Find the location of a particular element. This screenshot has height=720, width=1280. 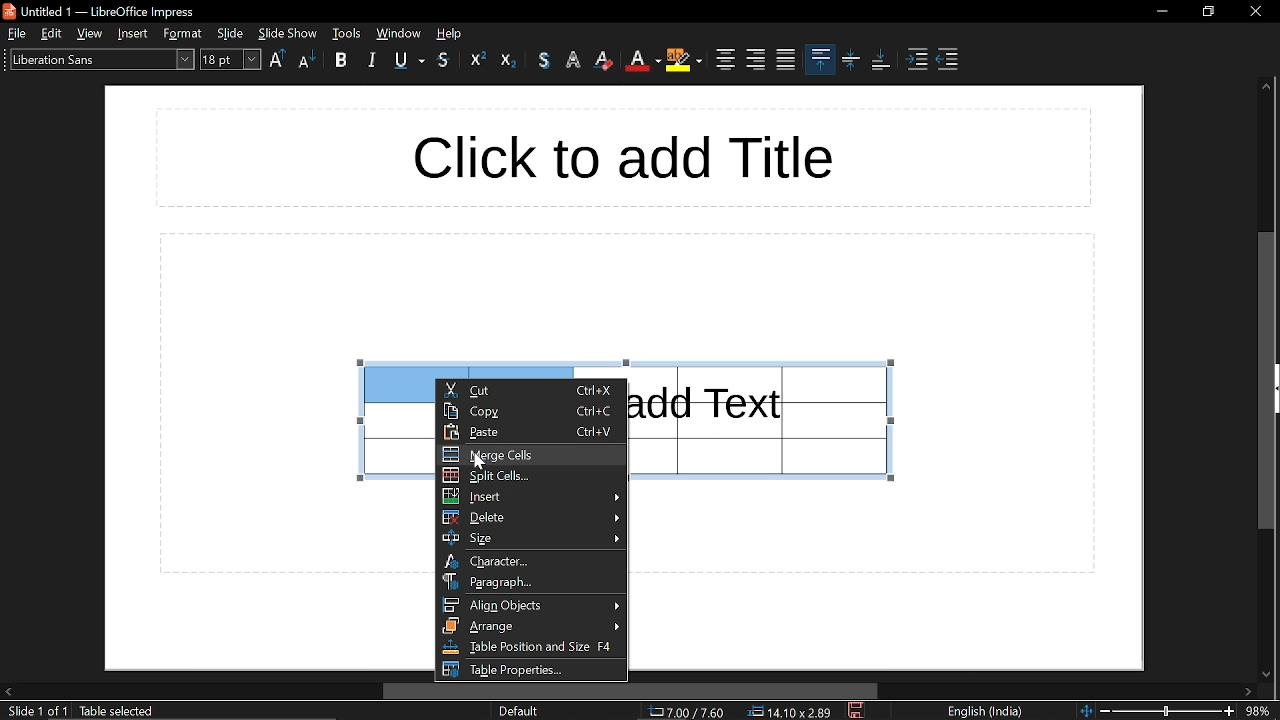

horizontal scrollbar is located at coordinates (631, 691).